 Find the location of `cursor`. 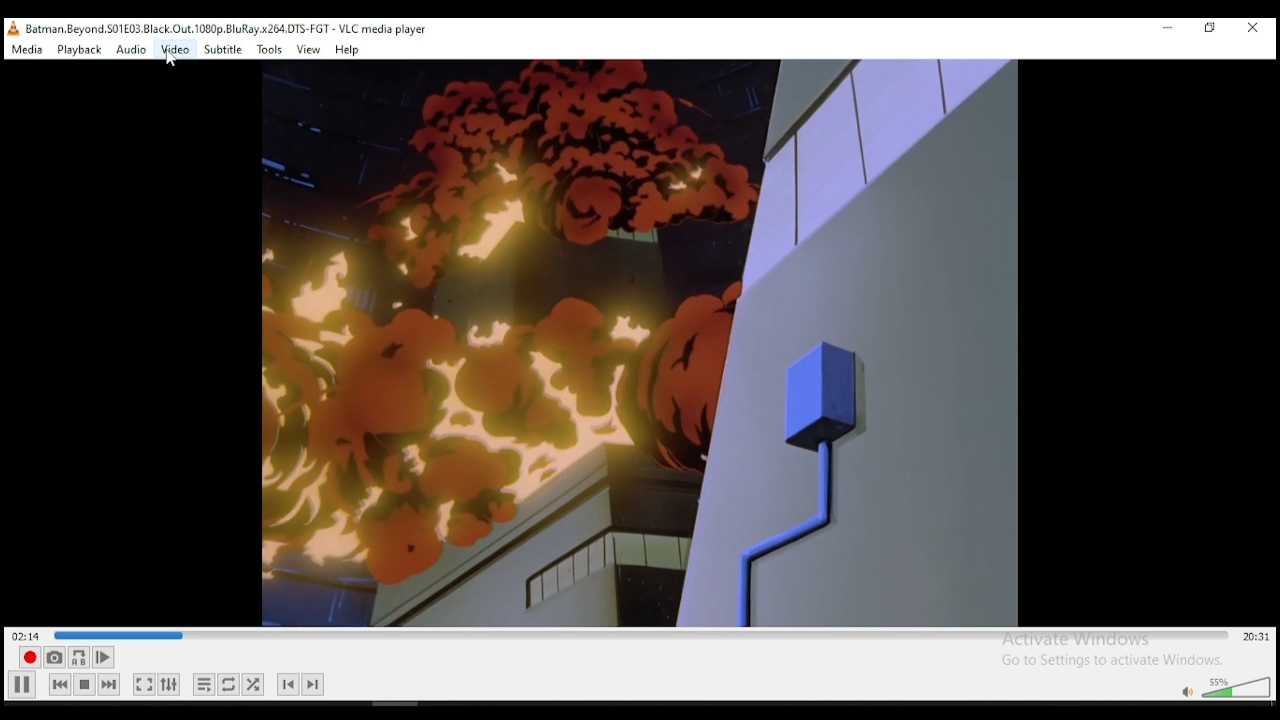

cursor is located at coordinates (175, 66).